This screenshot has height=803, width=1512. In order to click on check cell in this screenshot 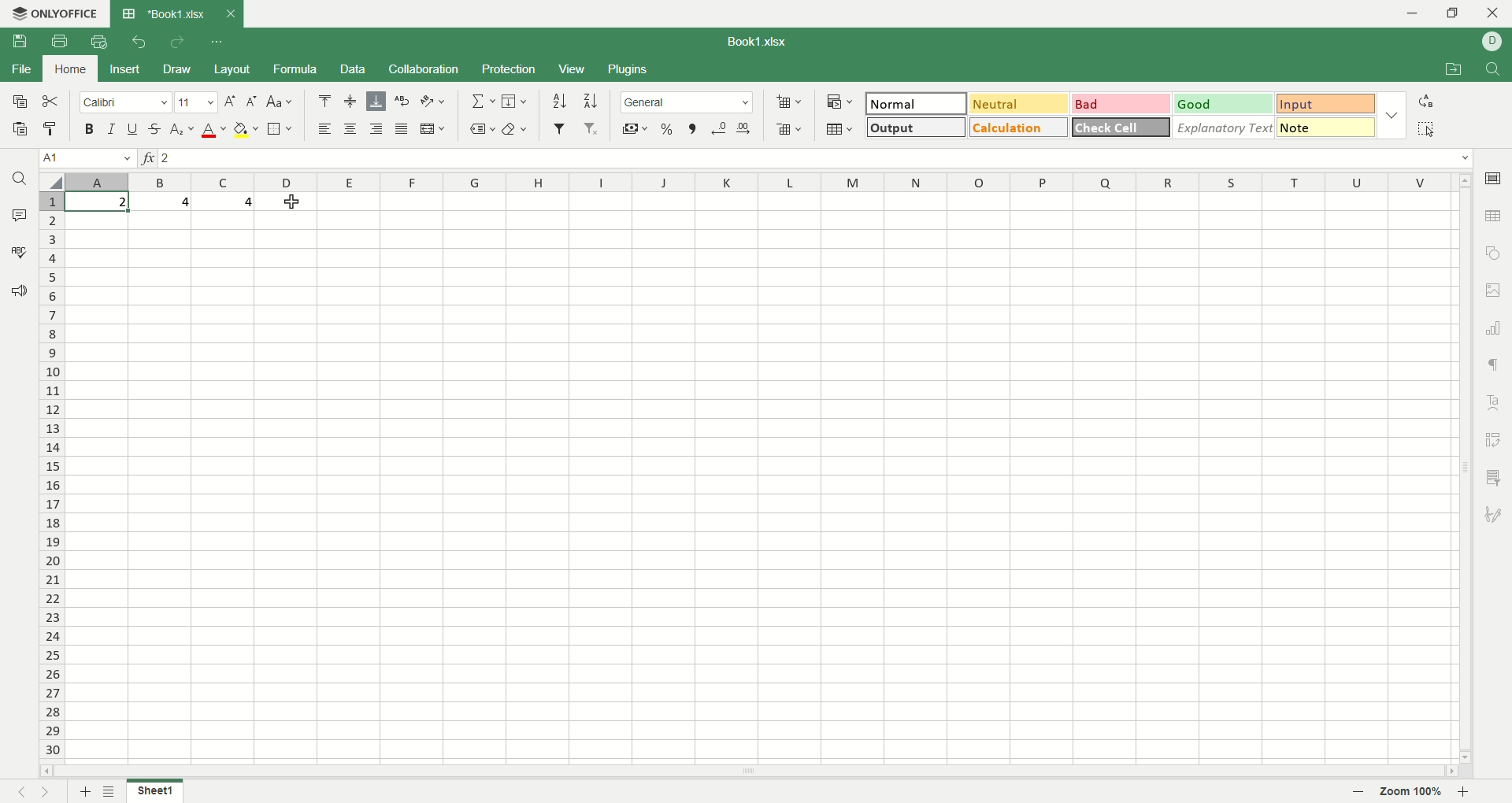, I will do `click(1121, 127)`.